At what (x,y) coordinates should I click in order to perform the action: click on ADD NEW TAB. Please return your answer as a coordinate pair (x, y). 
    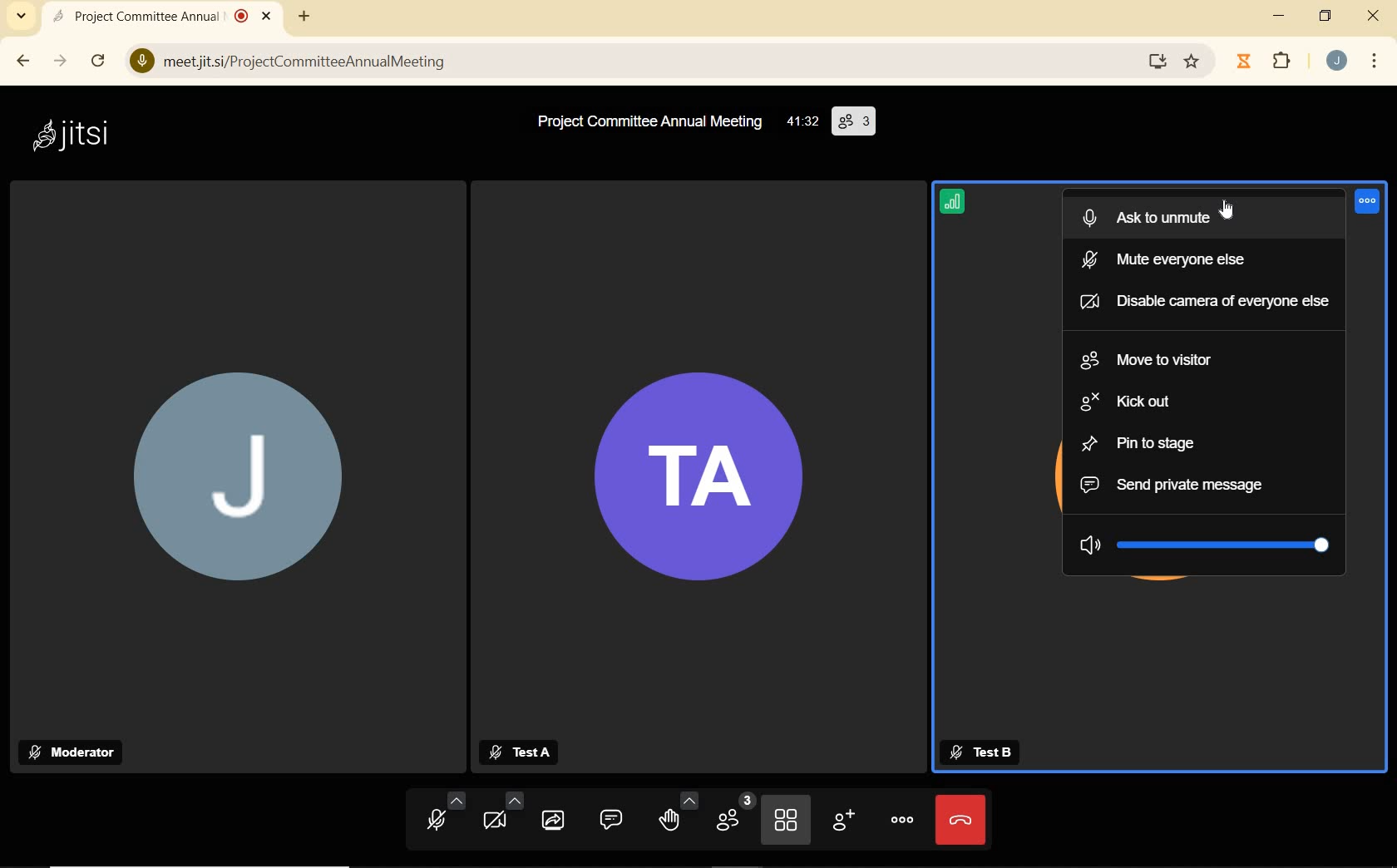
    Looking at the image, I should click on (304, 14).